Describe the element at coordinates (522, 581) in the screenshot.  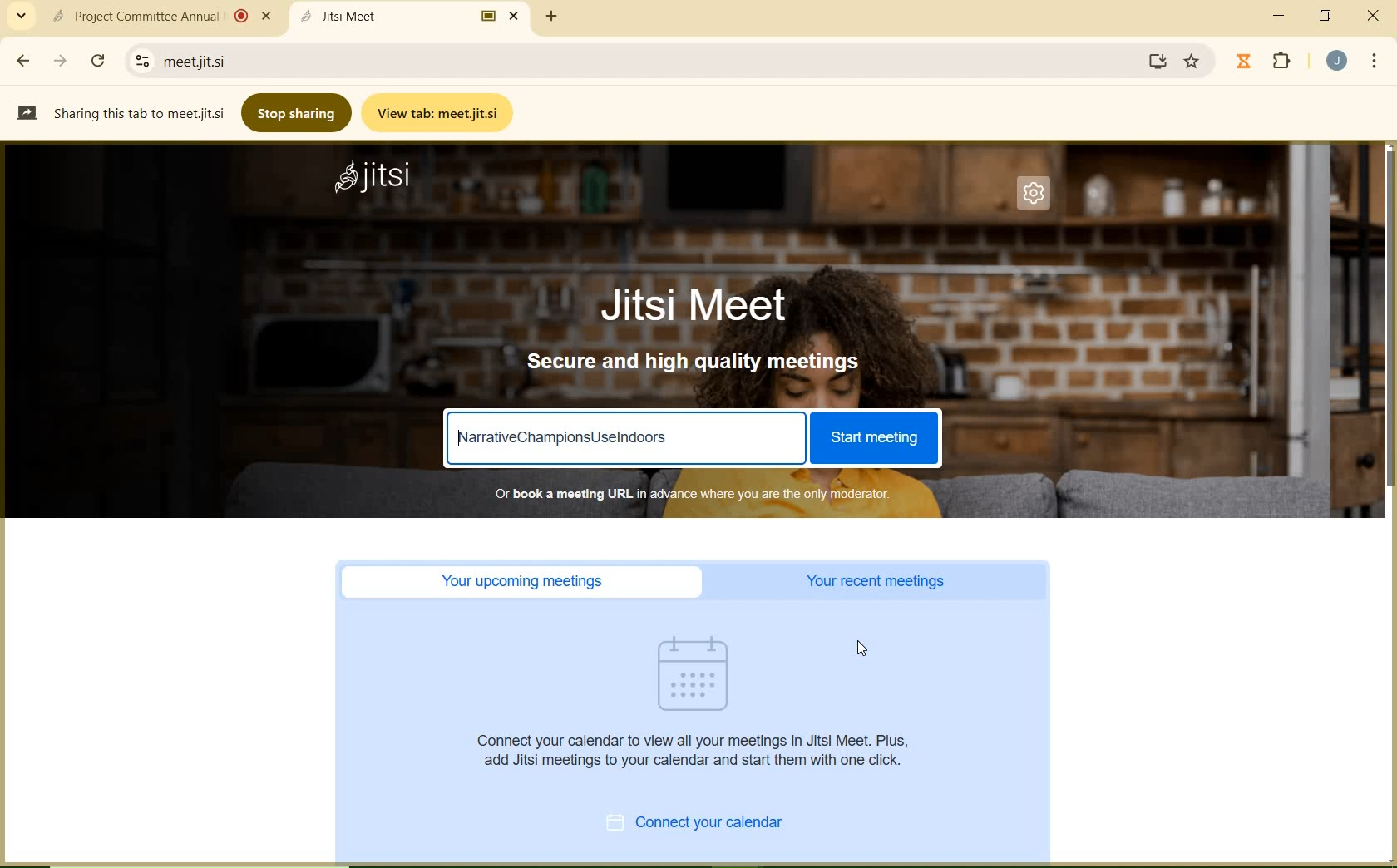
I see `Your upcoming meetings` at that location.